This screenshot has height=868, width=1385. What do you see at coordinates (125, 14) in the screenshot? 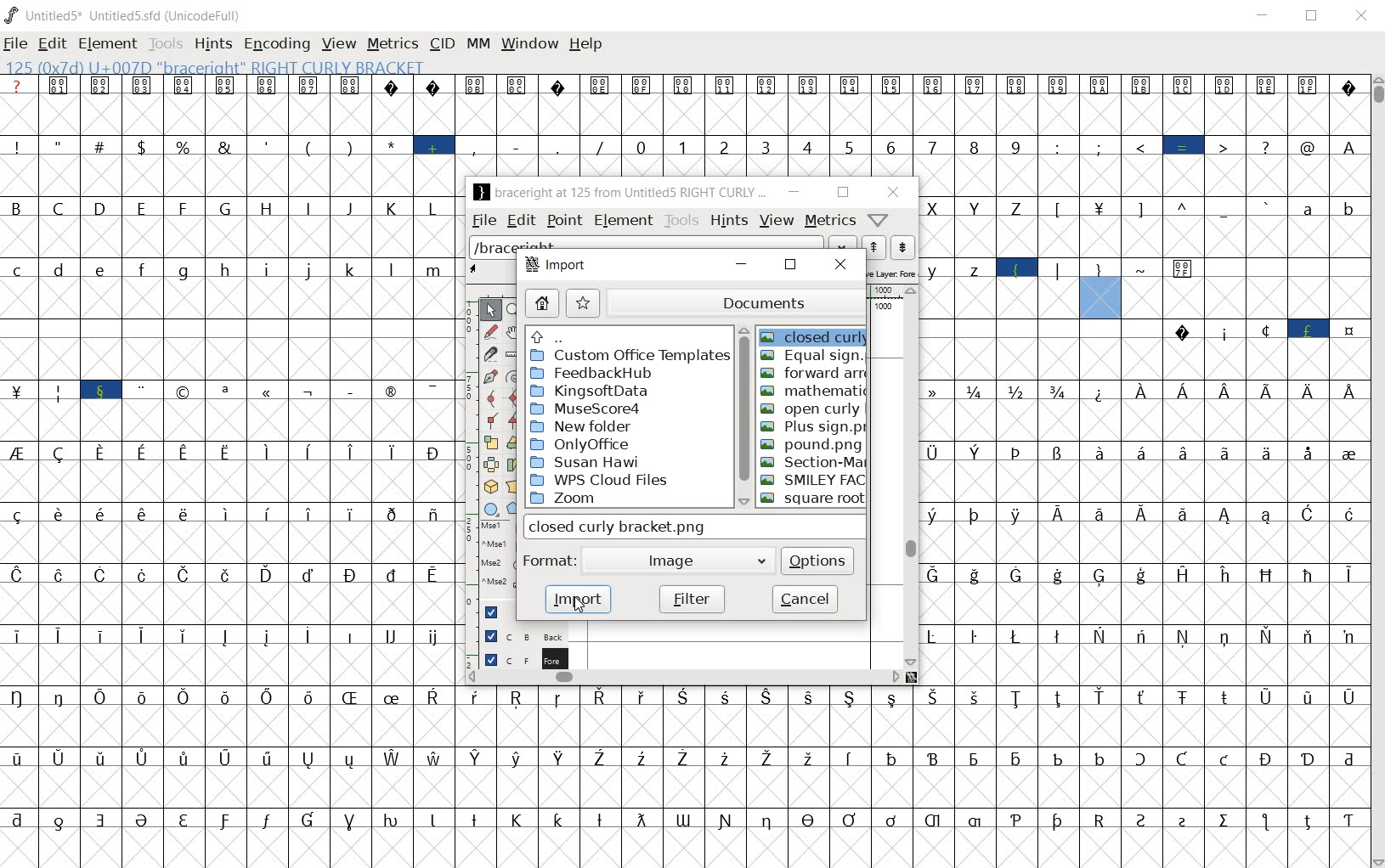
I see `Untitled5* Untitled5.sfd (UnicodeFull)` at bounding box center [125, 14].